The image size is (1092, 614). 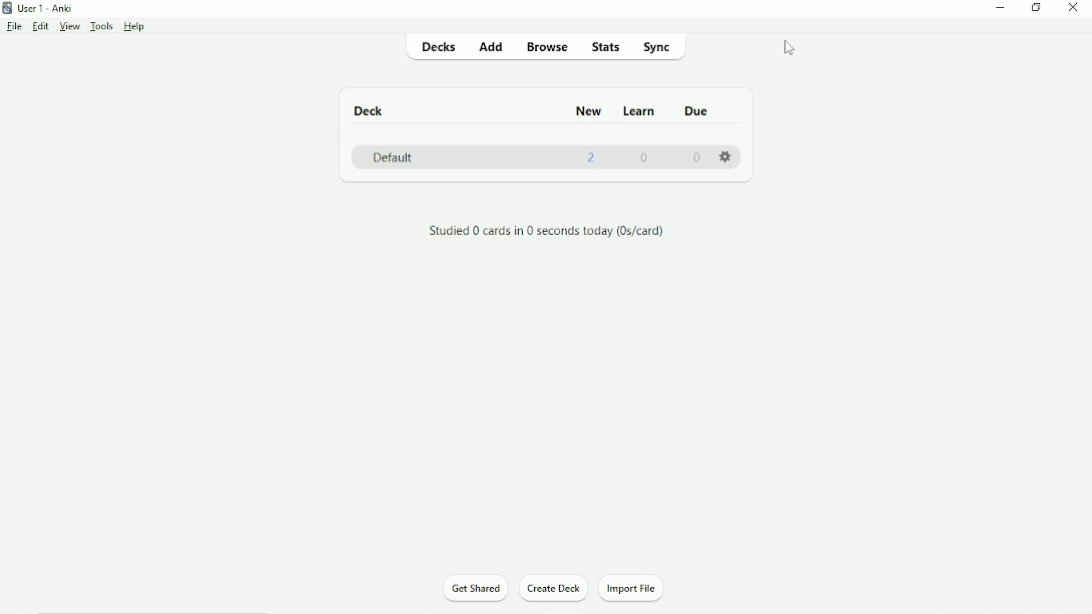 I want to click on Cursor, so click(x=789, y=48).